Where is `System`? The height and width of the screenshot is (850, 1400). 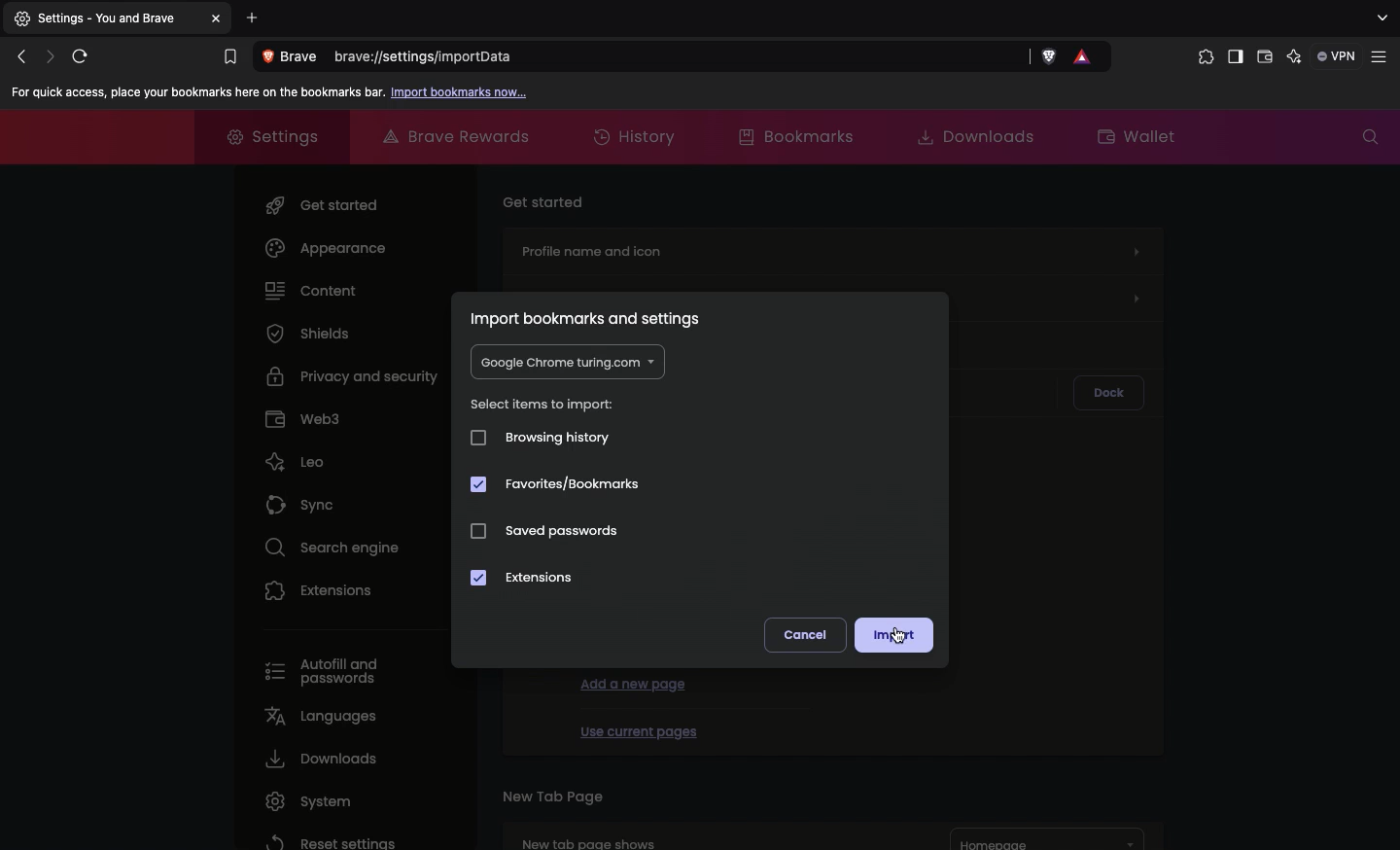
System is located at coordinates (303, 801).